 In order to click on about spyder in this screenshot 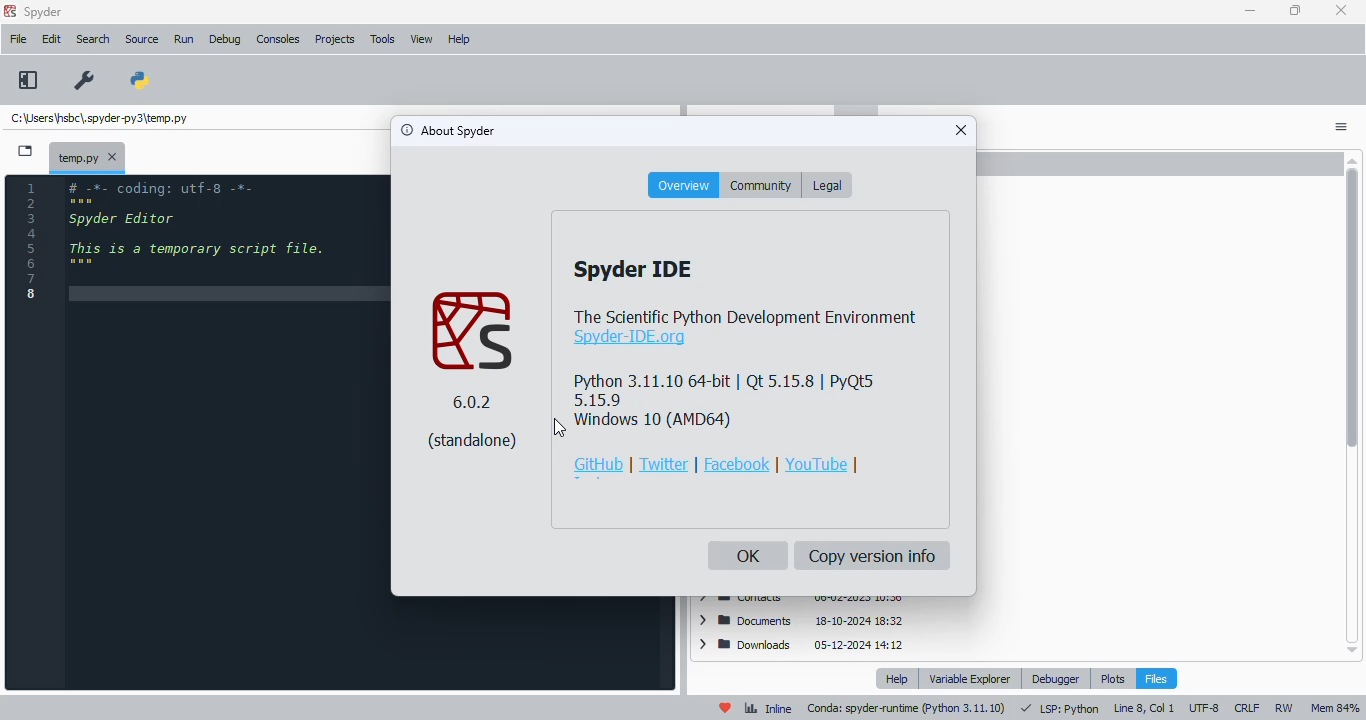, I will do `click(447, 130)`.